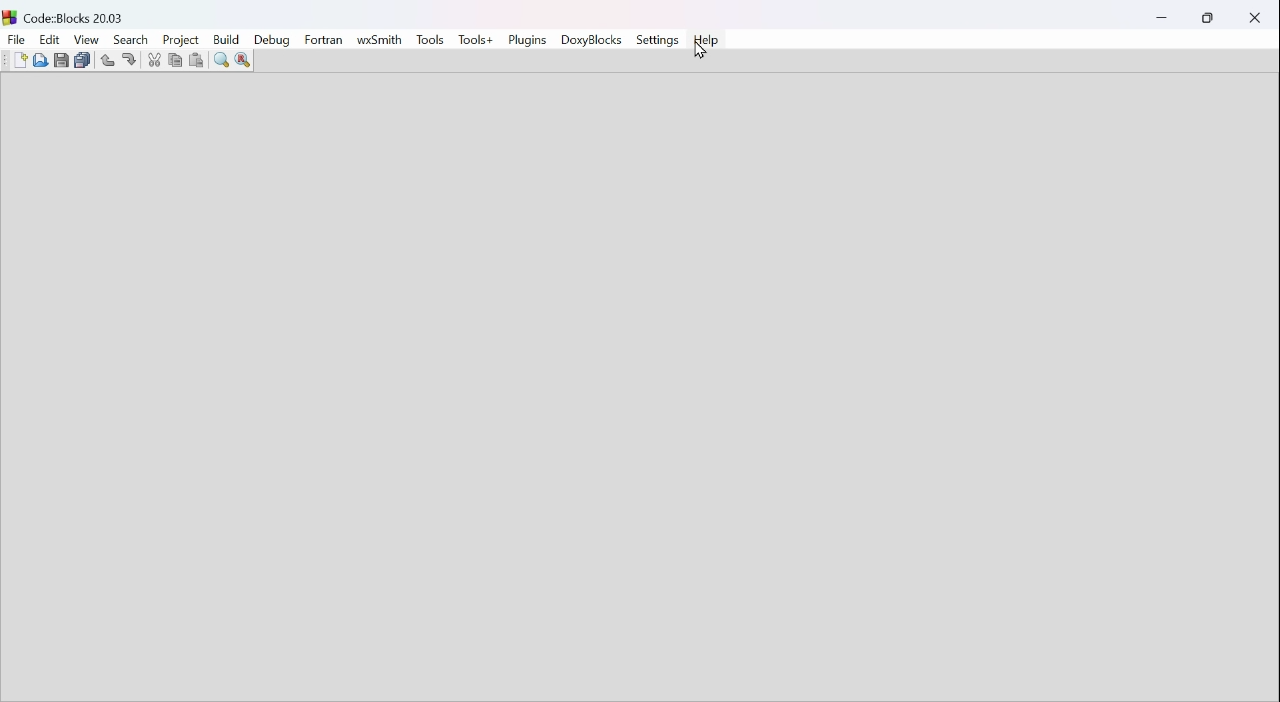  Describe the element at coordinates (1208, 19) in the screenshot. I see `Maximise` at that location.